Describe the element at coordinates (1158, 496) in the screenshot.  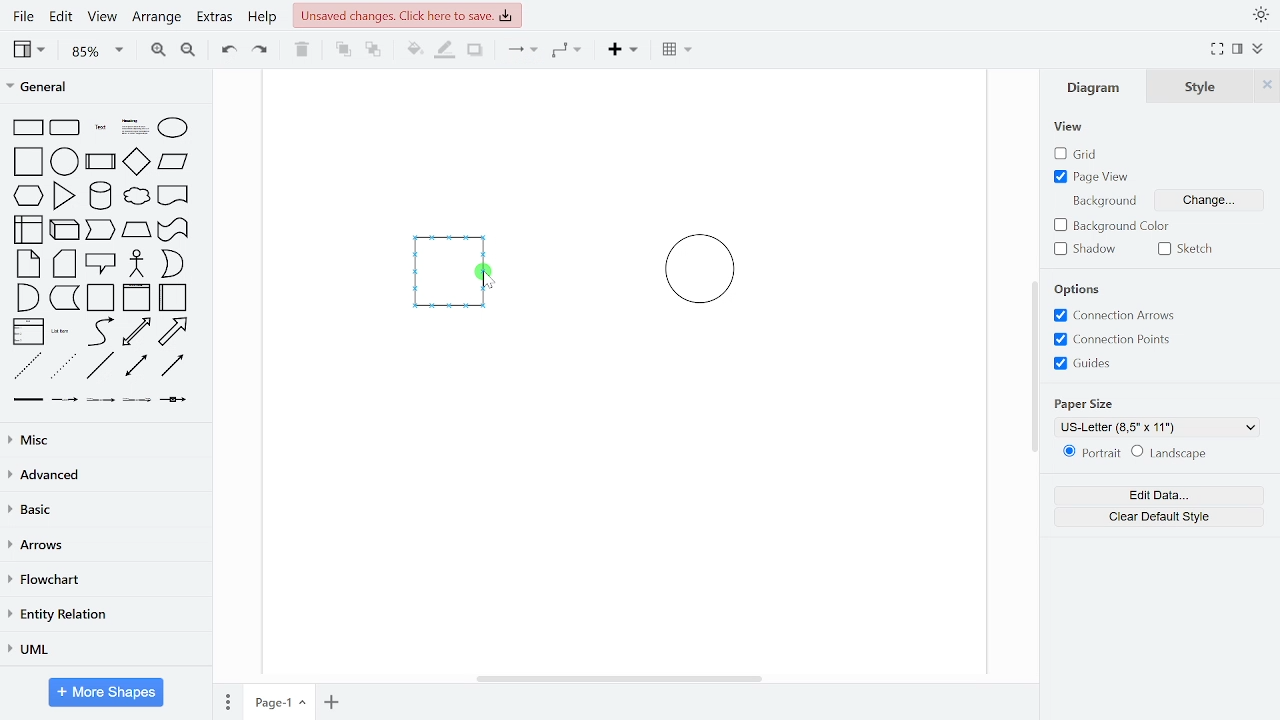
I see `edit data` at that location.